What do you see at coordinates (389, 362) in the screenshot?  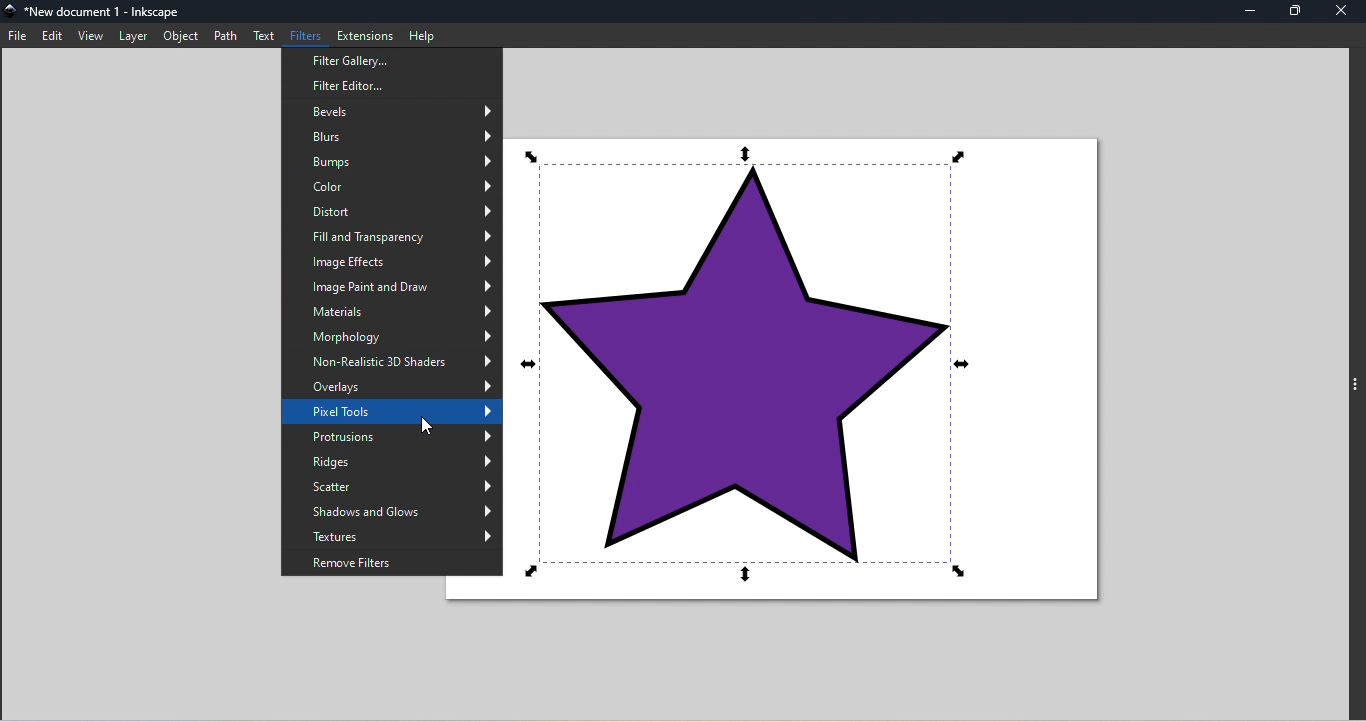 I see `Non-realistic` at bounding box center [389, 362].